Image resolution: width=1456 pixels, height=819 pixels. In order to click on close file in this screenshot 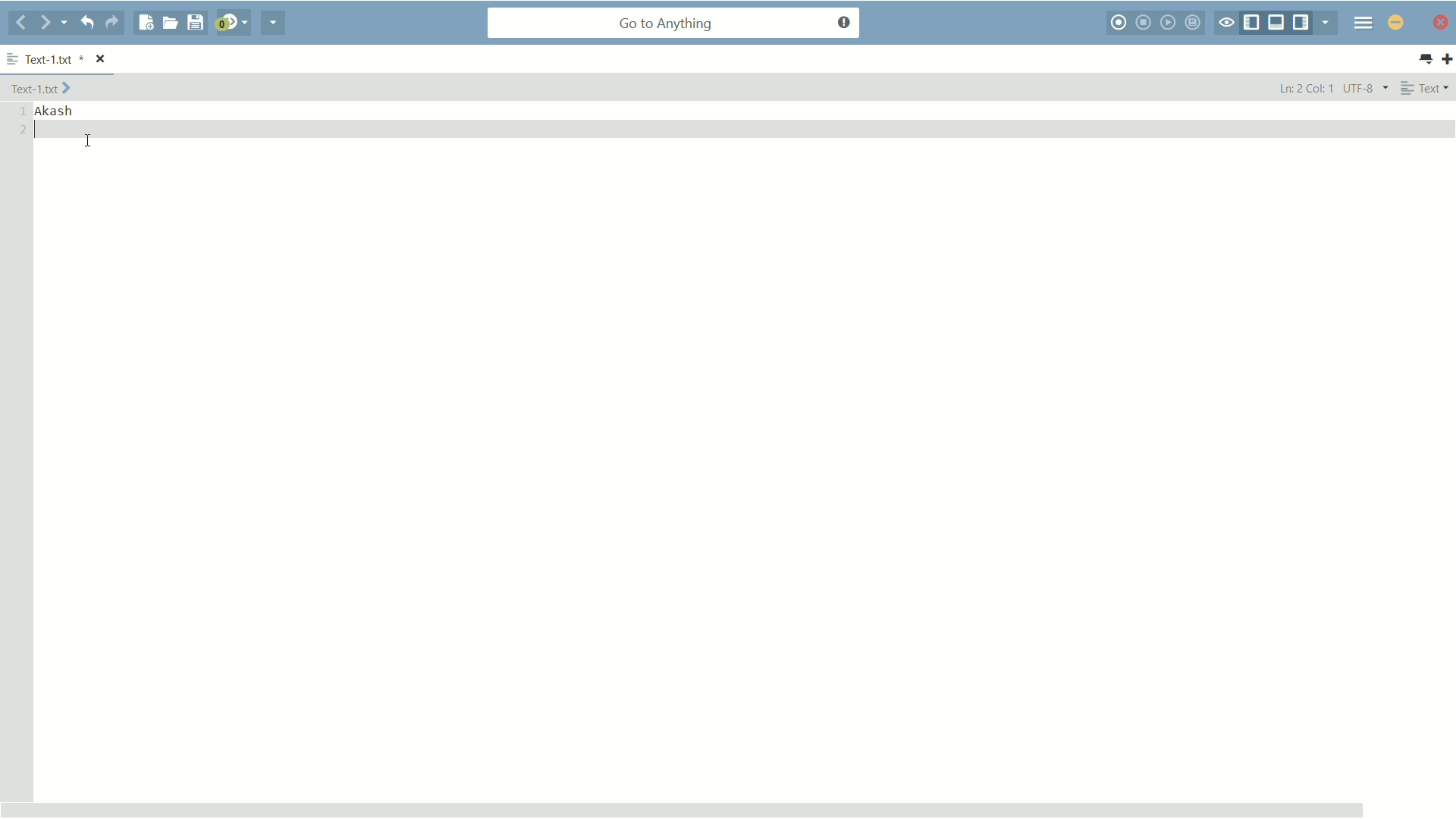, I will do `click(101, 58)`.